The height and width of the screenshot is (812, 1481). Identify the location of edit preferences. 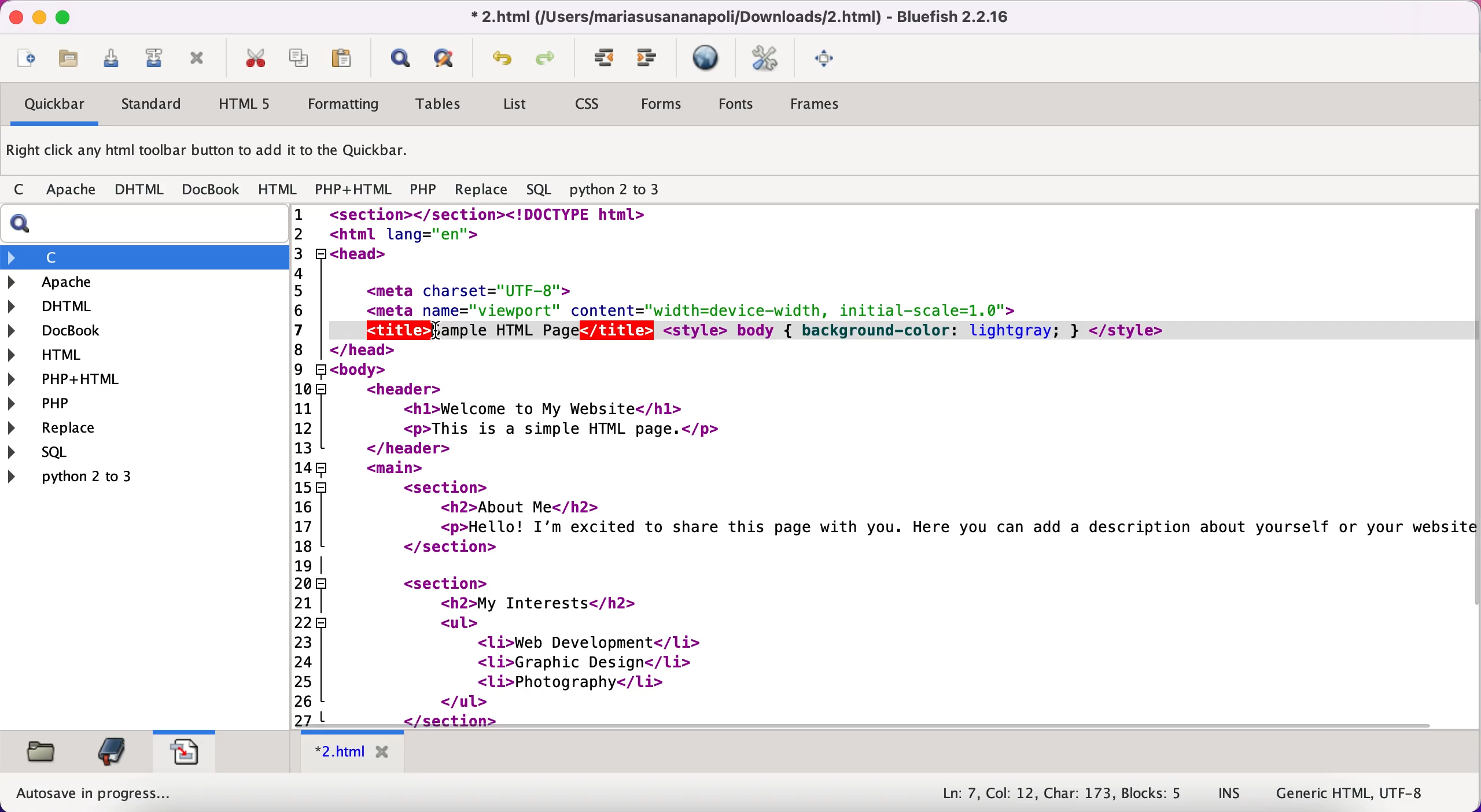
(765, 60).